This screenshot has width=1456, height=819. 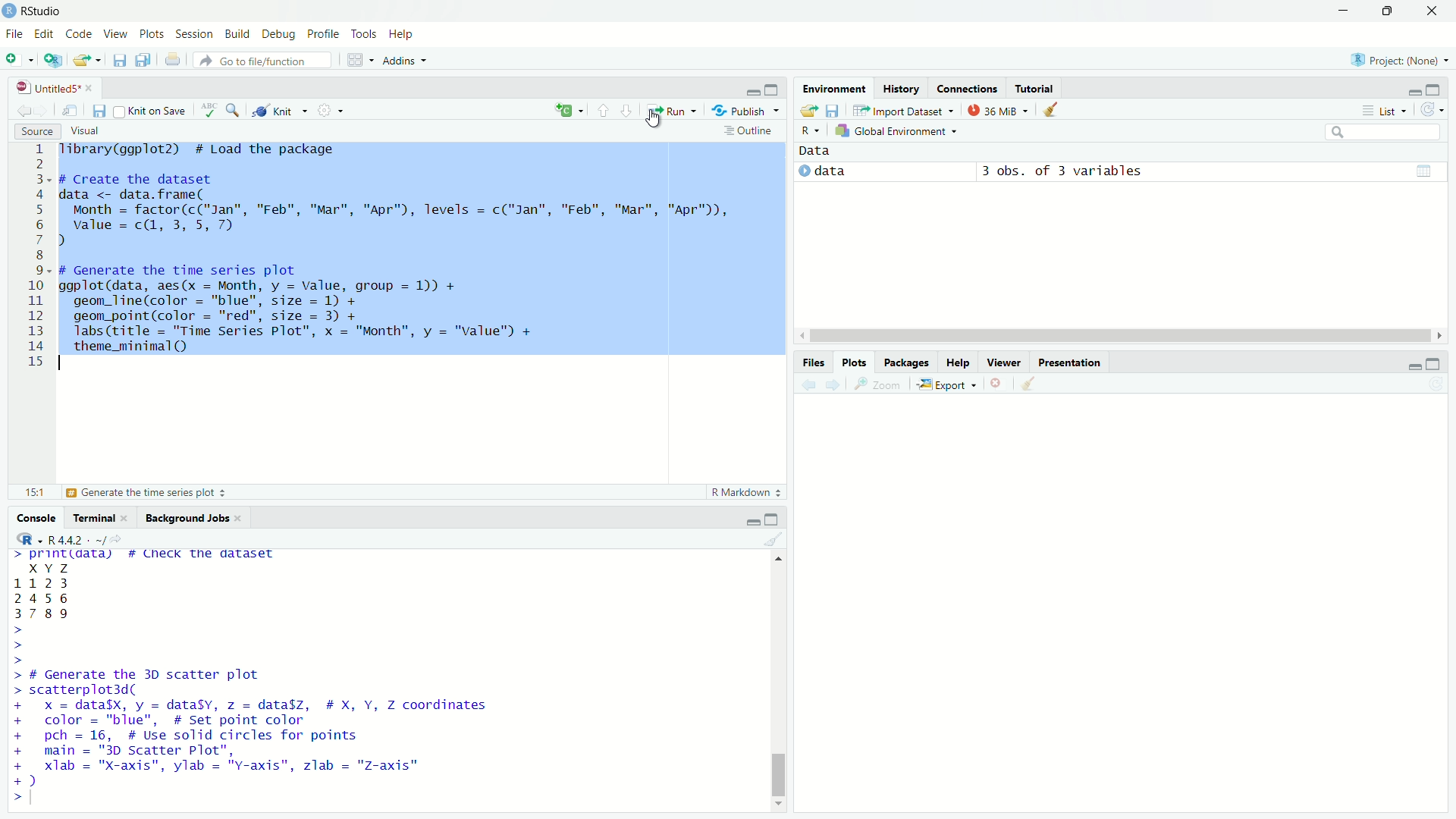 I want to click on scrollbar, so click(x=1116, y=337).